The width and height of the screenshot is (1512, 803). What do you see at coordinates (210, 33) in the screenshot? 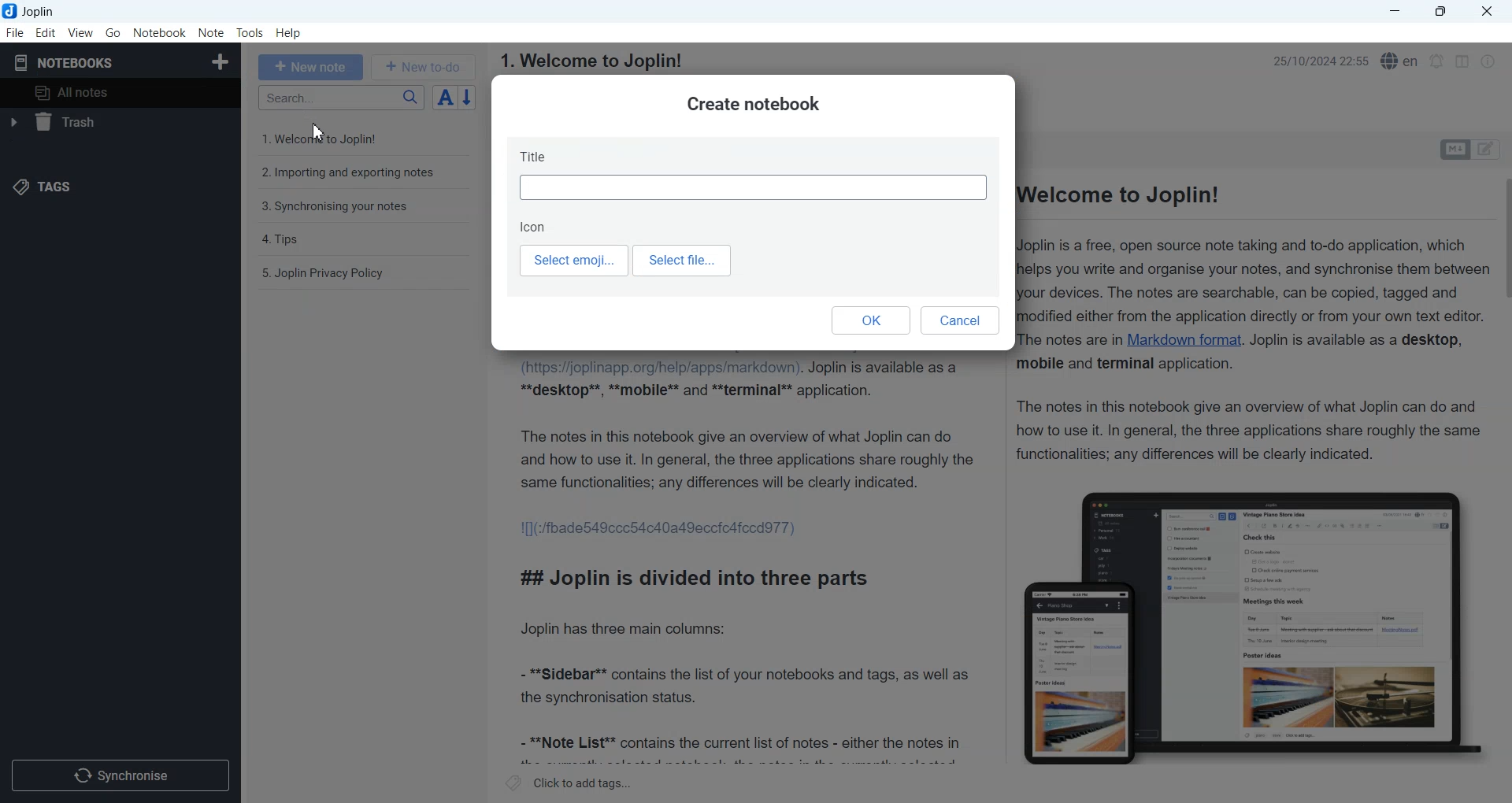
I see `Note` at bounding box center [210, 33].